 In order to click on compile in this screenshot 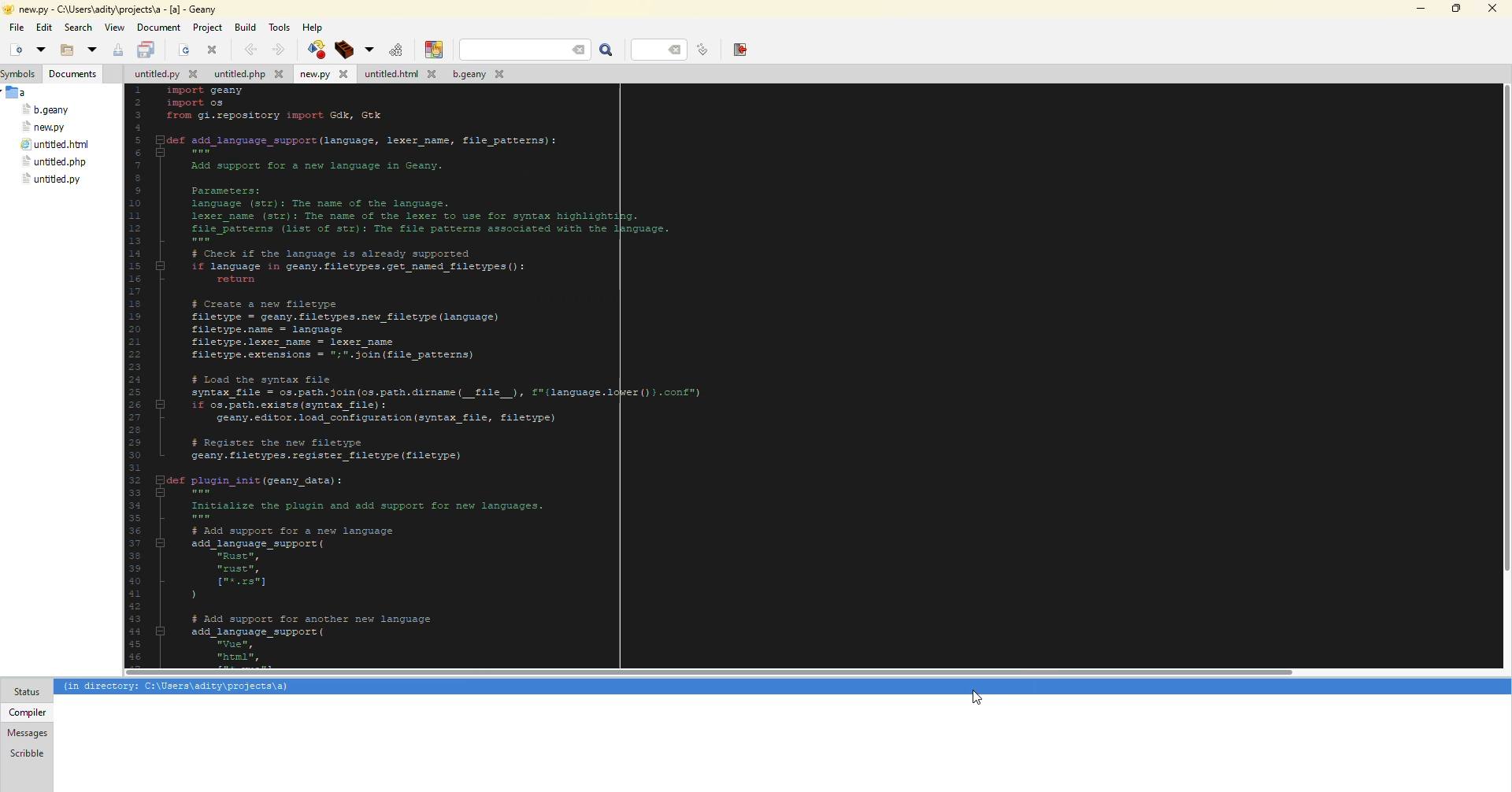, I will do `click(314, 49)`.